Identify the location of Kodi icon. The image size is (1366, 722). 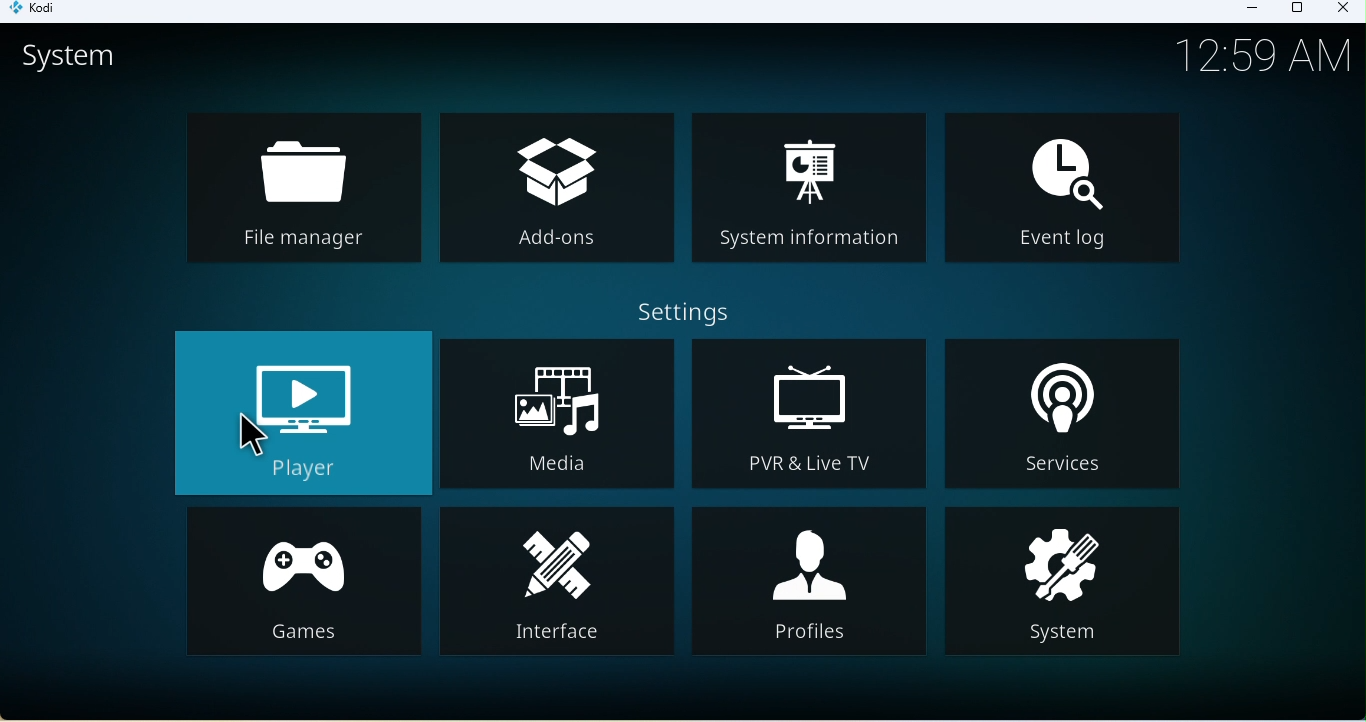
(41, 12).